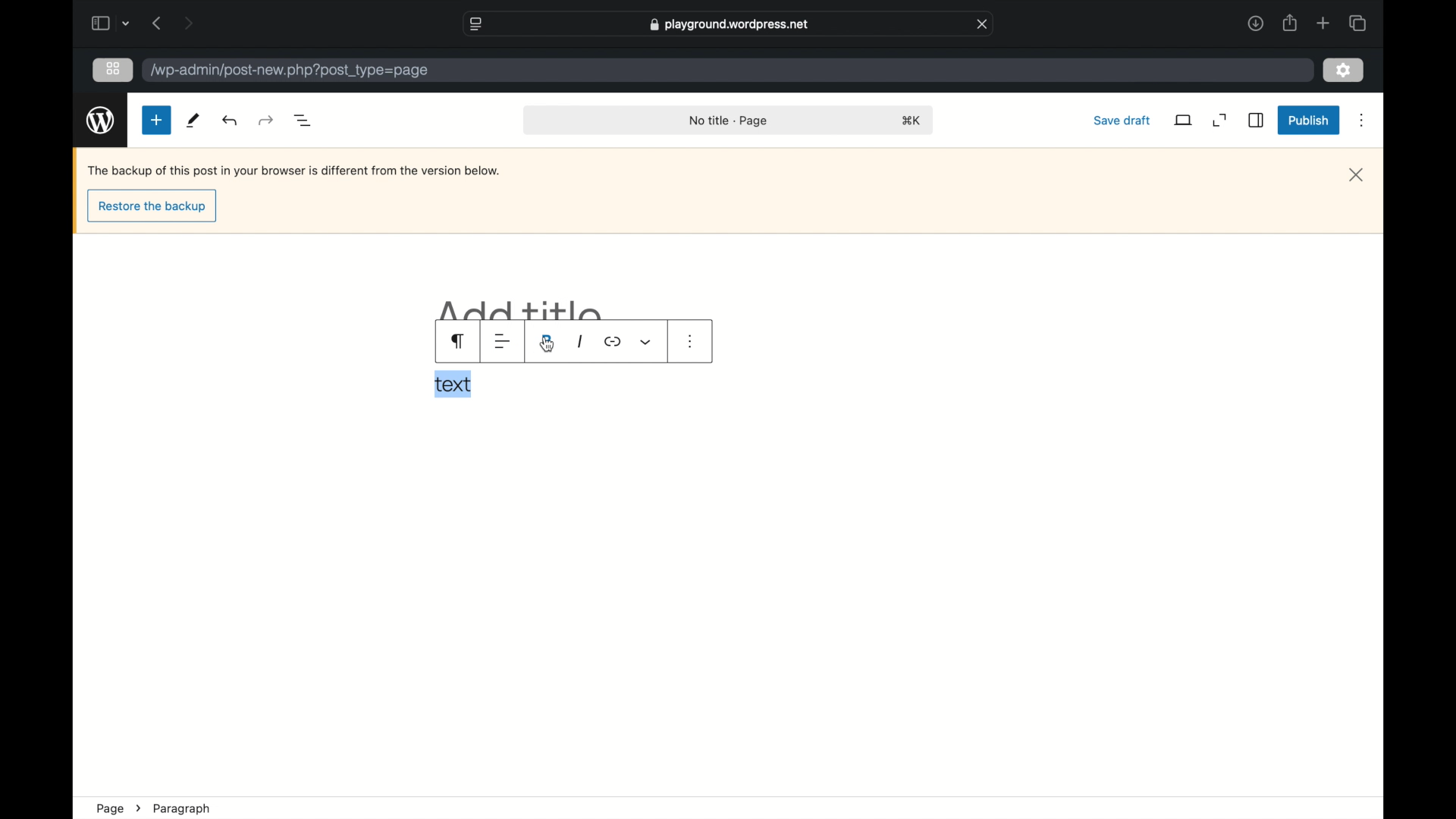 This screenshot has width=1456, height=819. I want to click on icon, so click(613, 342).